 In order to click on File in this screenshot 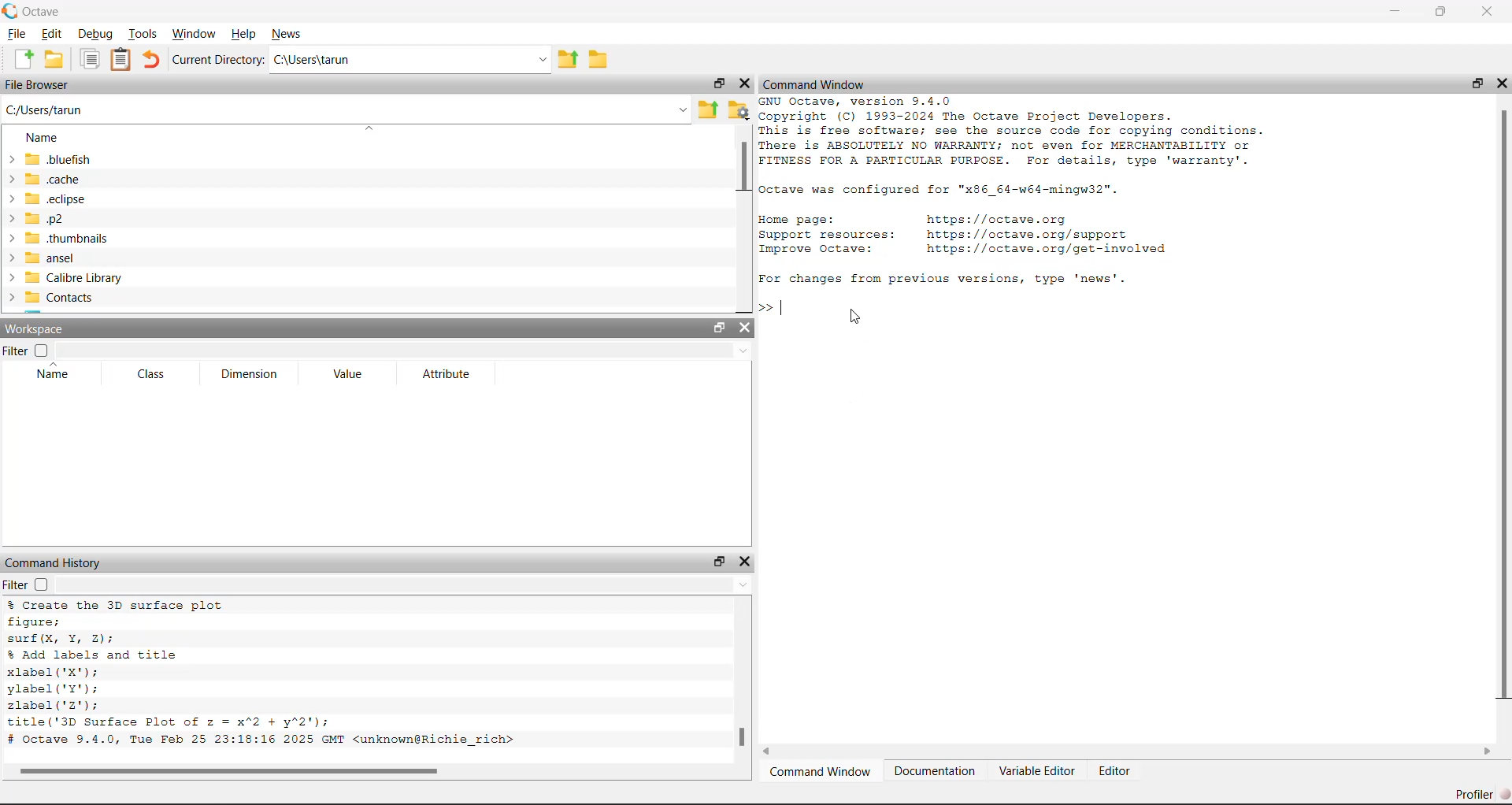, I will do `click(17, 35)`.